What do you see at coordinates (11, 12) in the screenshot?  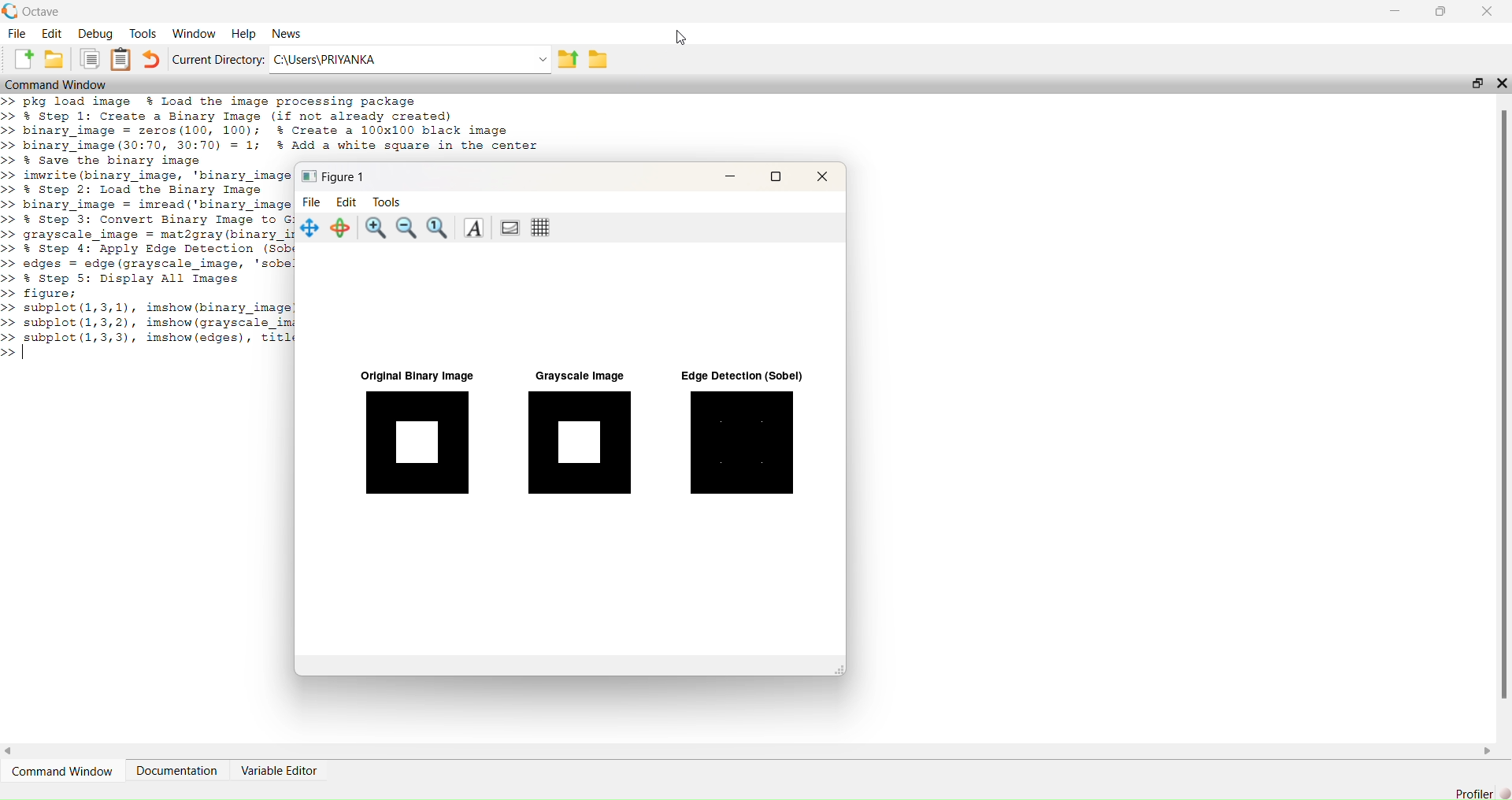 I see `logo` at bounding box center [11, 12].